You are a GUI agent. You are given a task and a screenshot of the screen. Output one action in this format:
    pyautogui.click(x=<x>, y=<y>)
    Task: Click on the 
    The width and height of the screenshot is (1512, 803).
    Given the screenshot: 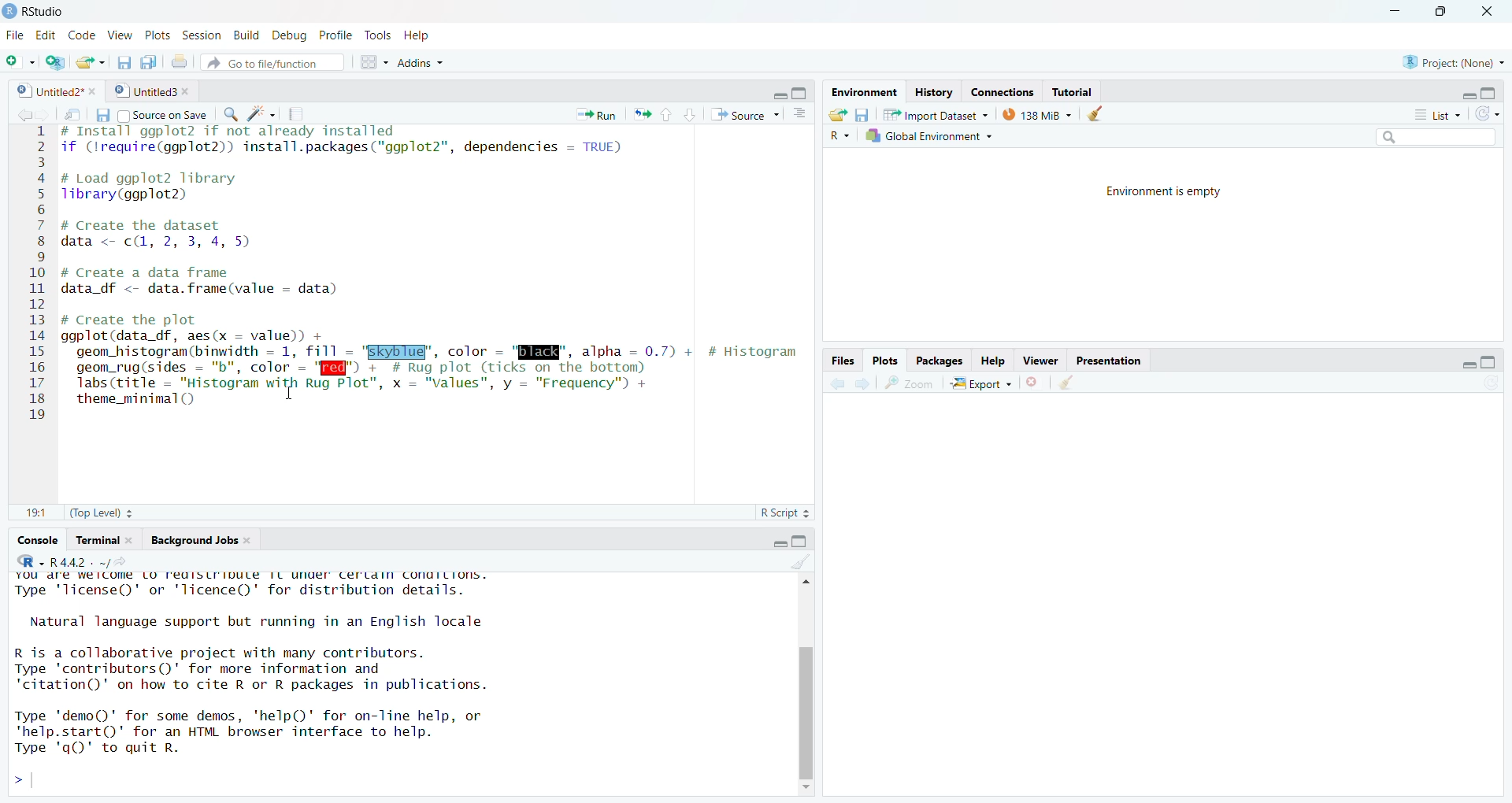 What is the action you would take?
    pyautogui.click(x=74, y=114)
    